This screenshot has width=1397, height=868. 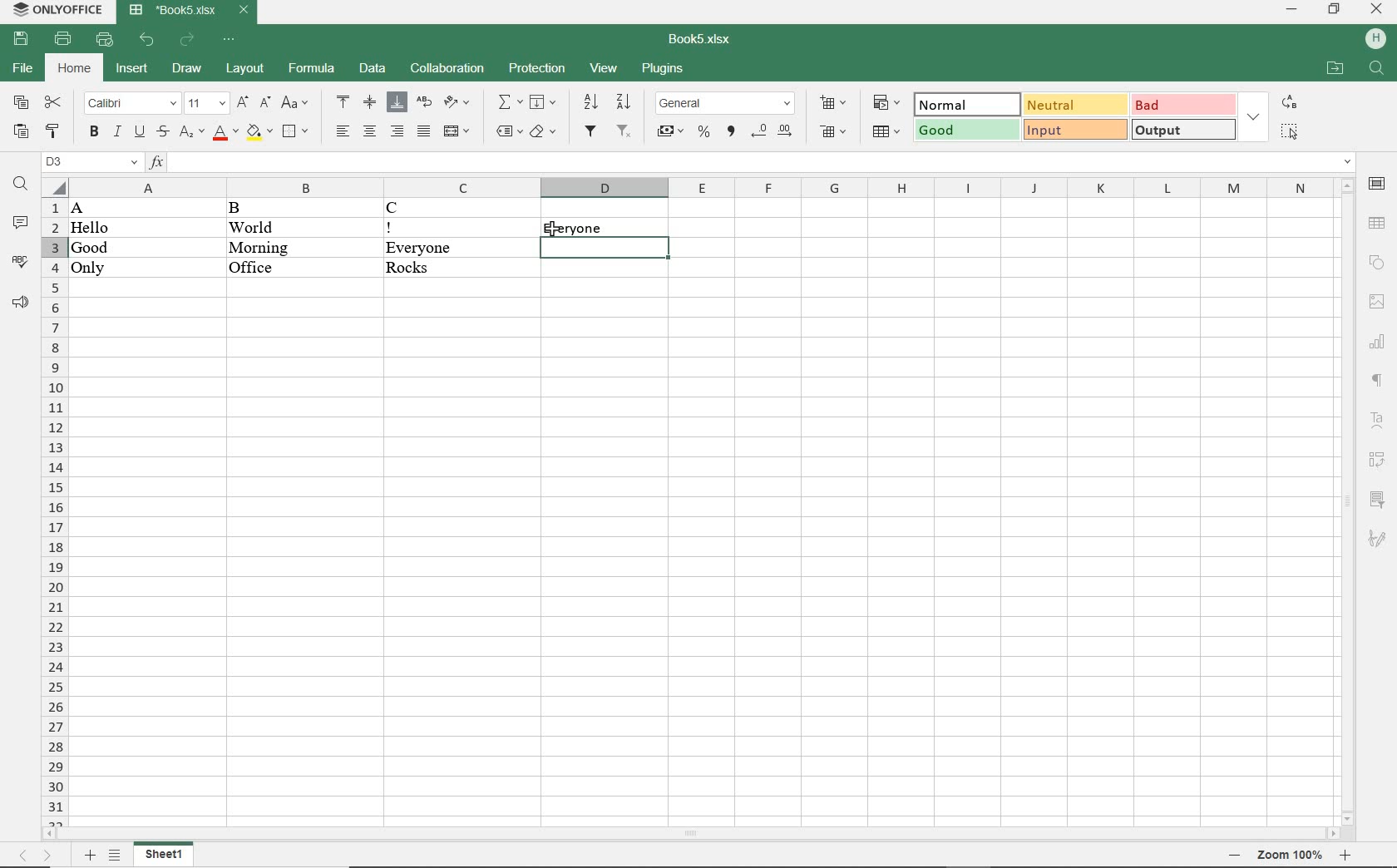 I want to click on move sheets, so click(x=41, y=856).